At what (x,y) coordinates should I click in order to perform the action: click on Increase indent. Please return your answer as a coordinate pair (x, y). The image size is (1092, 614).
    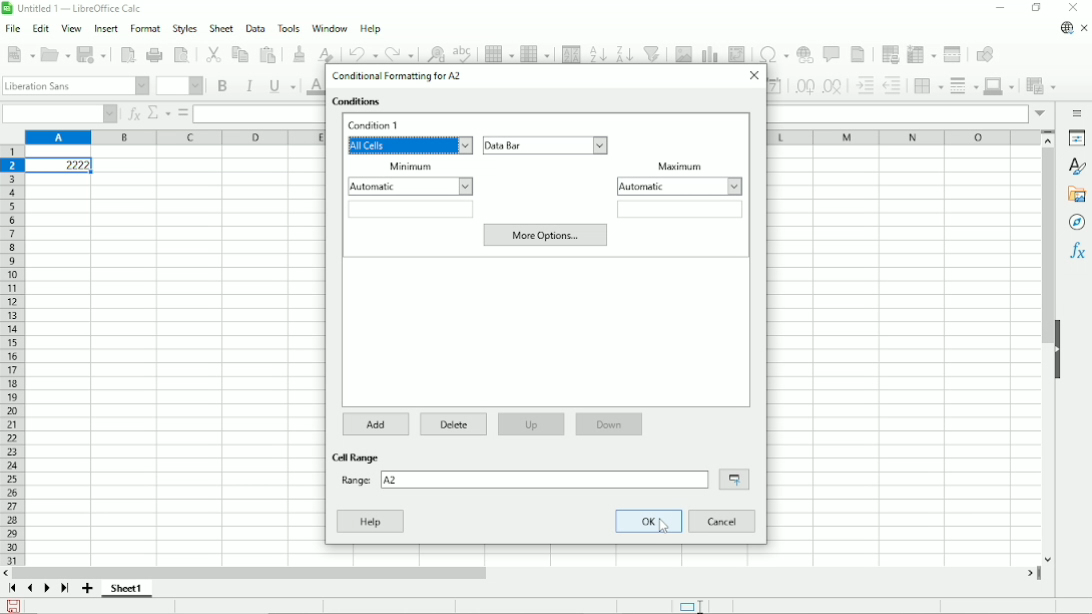
    Looking at the image, I should click on (864, 86).